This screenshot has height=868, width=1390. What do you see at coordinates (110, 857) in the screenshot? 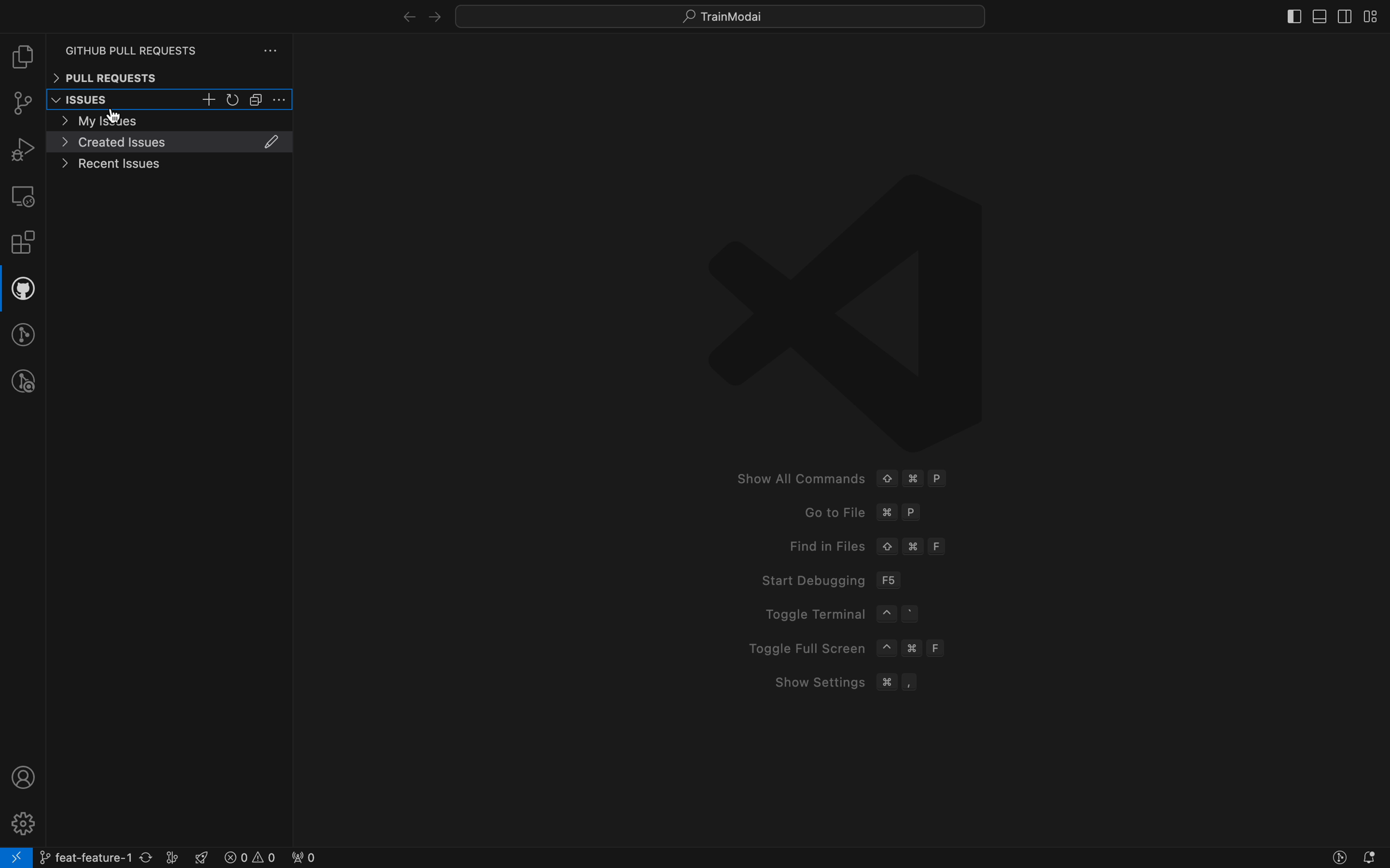
I see `current branch` at bounding box center [110, 857].